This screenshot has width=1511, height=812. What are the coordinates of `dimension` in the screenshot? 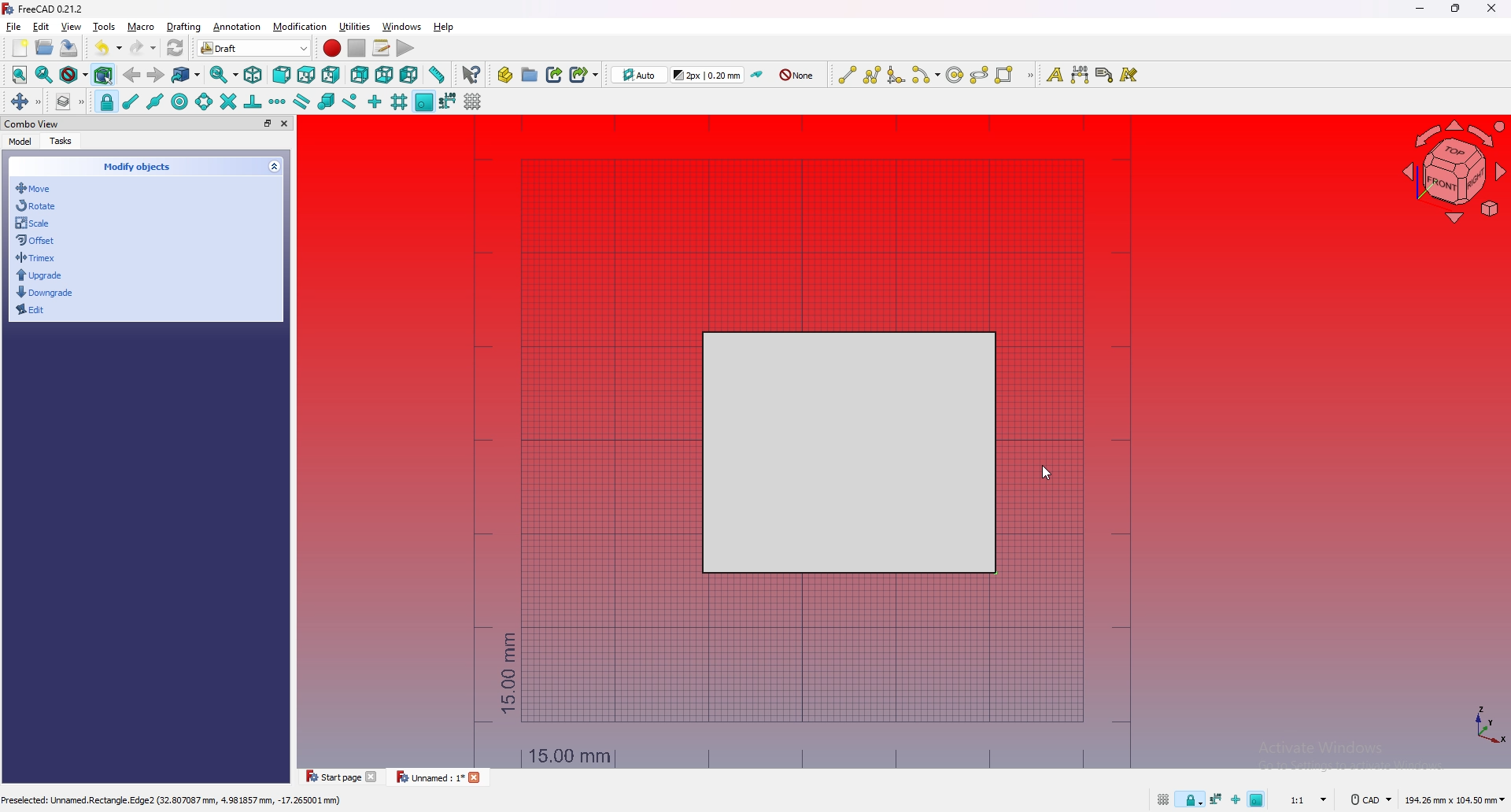 It's located at (1080, 75).